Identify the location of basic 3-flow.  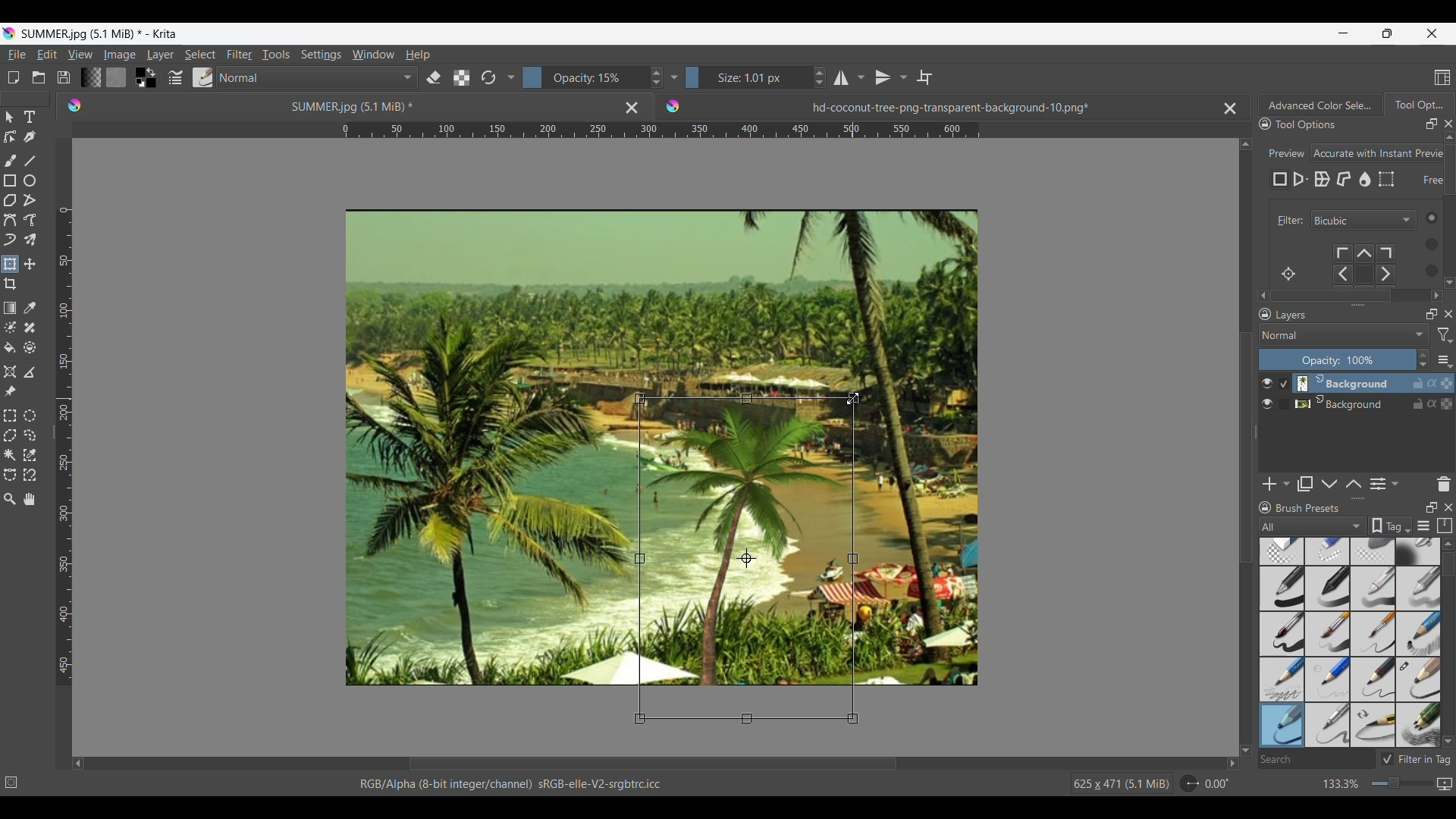
(1373, 588).